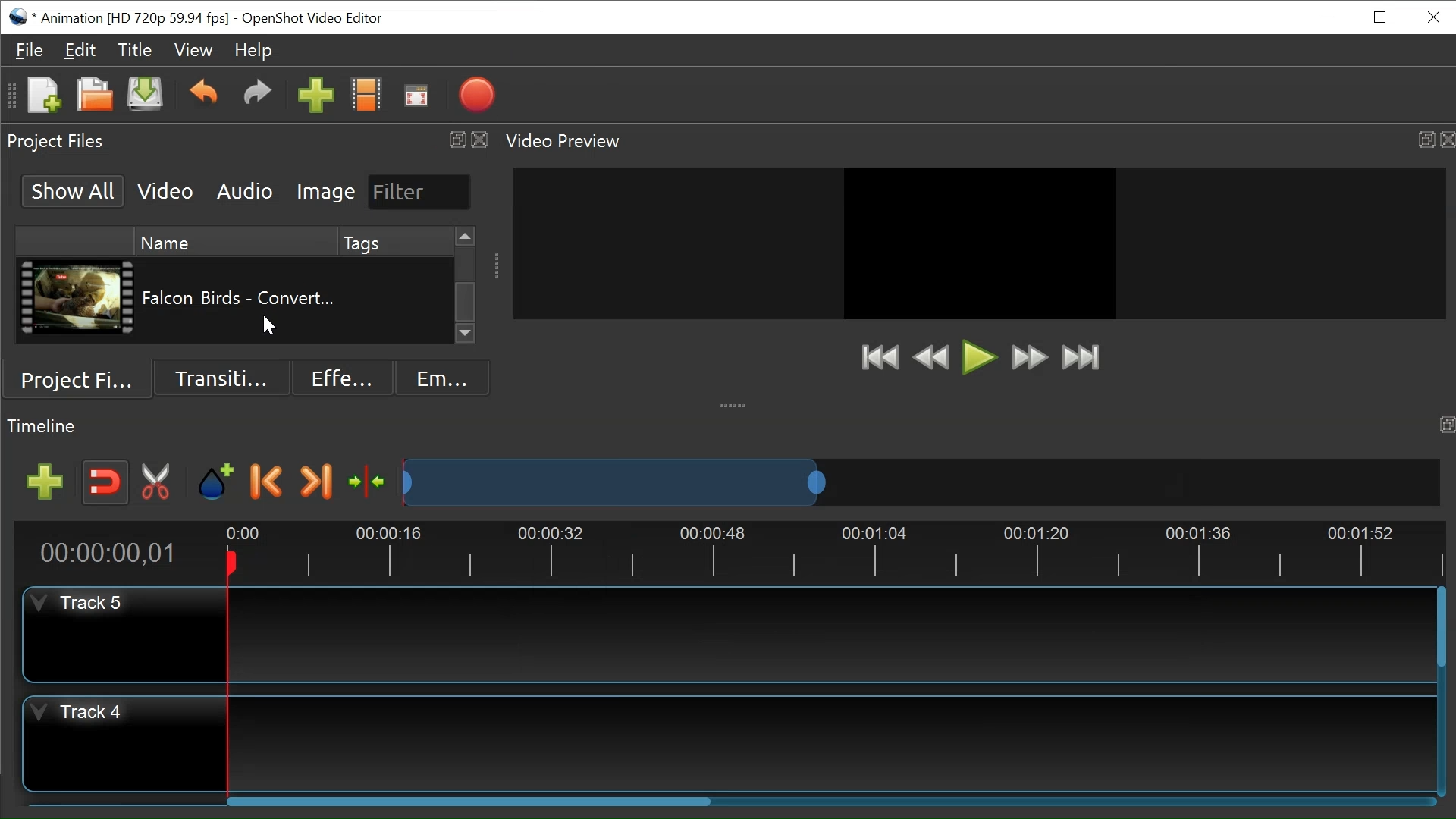  What do you see at coordinates (444, 376) in the screenshot?
I see `Emoji` at bounding box center [444, 376].